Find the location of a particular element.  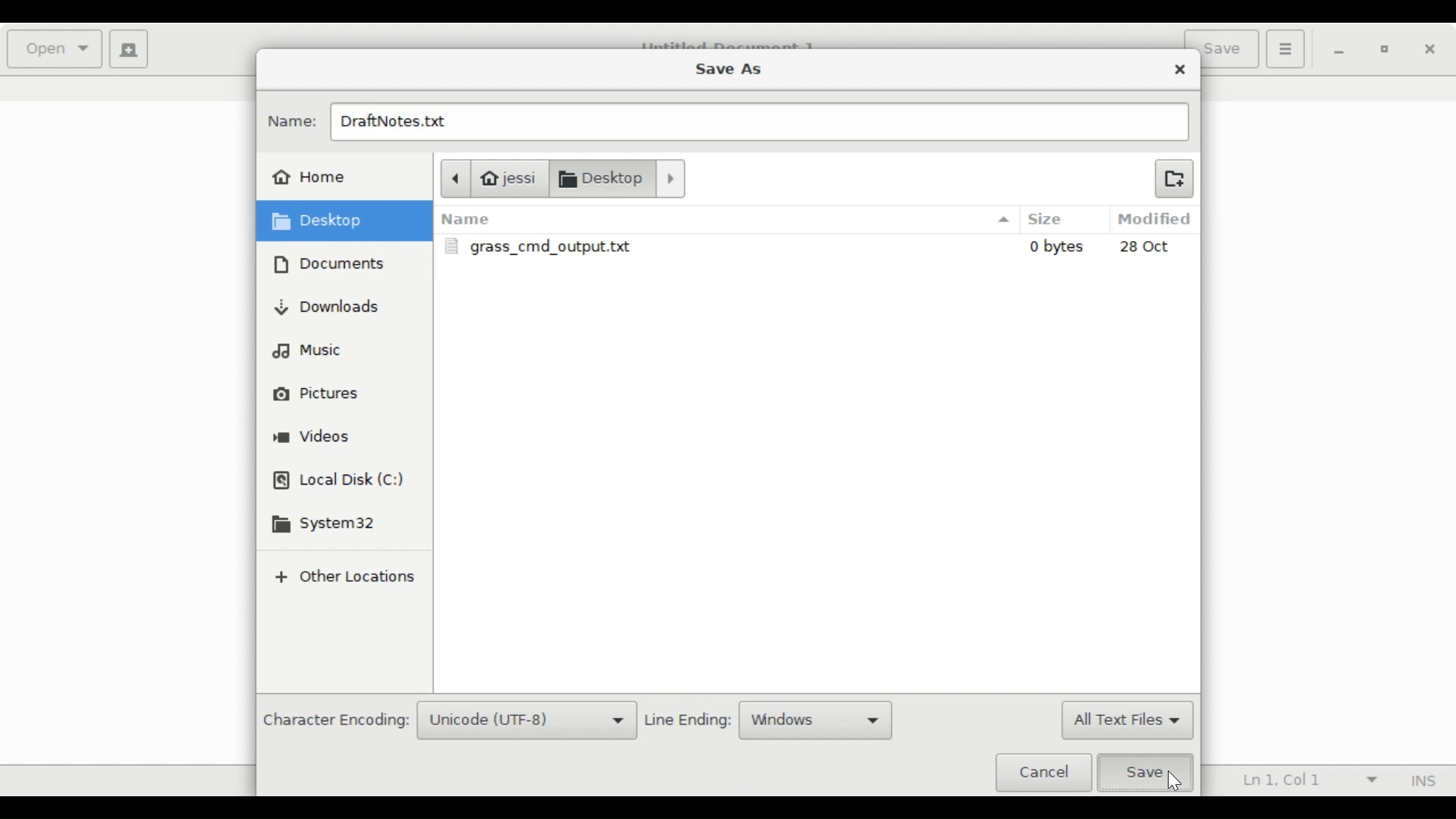

Insert Mode is located at coordinates (1420, 781).